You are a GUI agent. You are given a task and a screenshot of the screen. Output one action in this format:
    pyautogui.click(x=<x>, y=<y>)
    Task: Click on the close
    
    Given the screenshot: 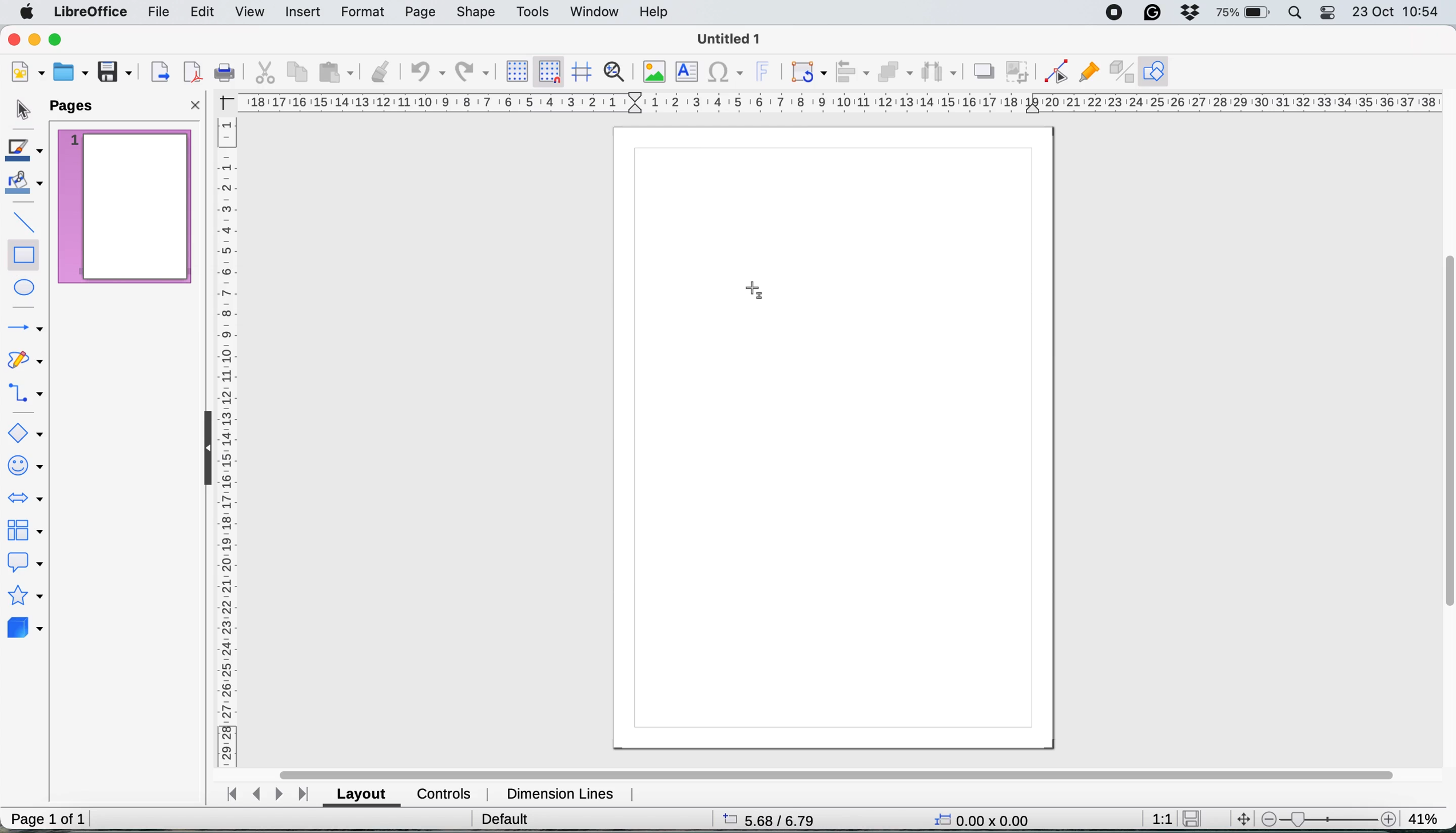 What is the action you would take?
    pyautogui.click(x=196, y=104)
    